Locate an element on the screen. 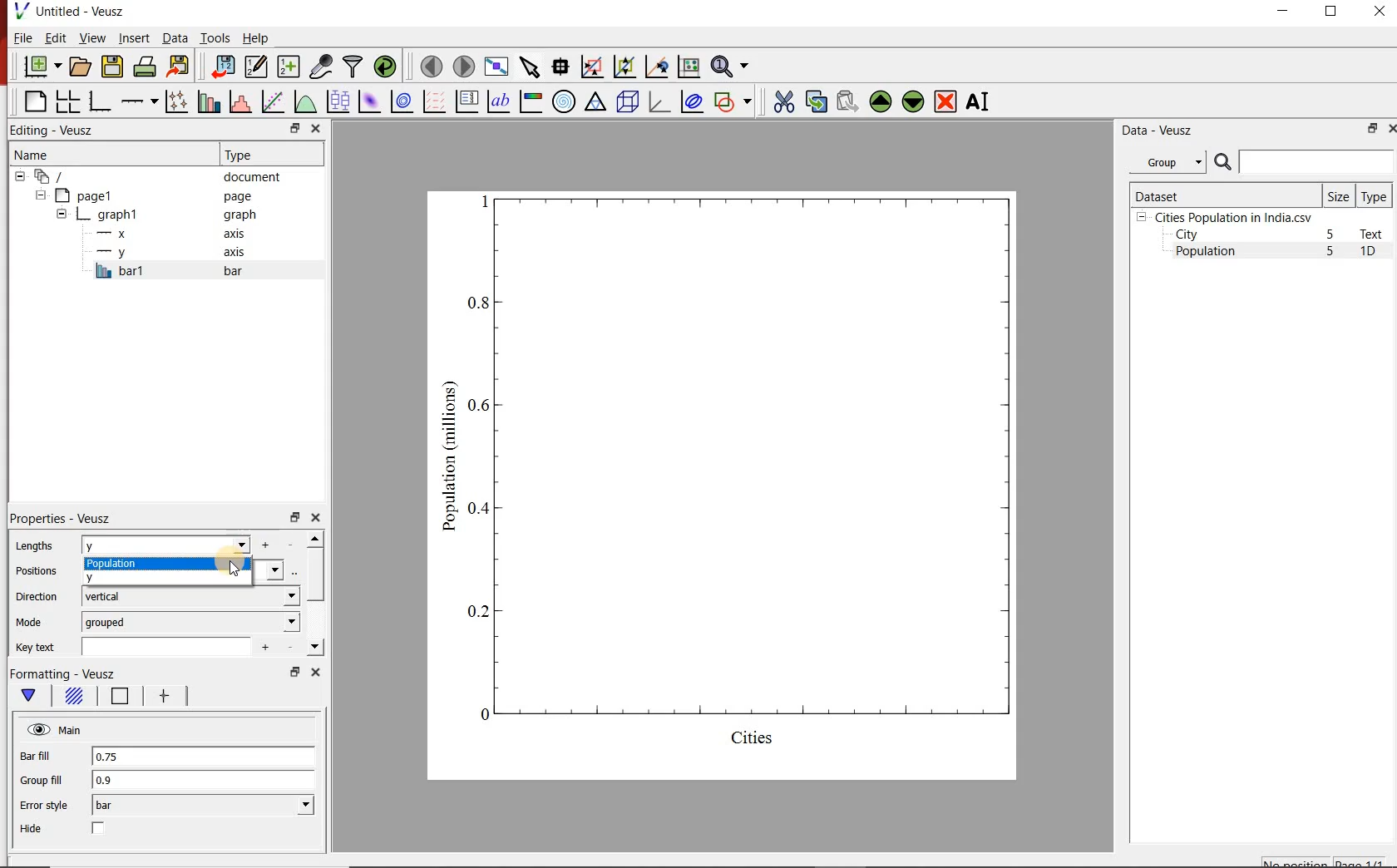 The height and width of the screenshot is (868, 1397). arrange graphs in a grid is located at coordinates (67, 101).